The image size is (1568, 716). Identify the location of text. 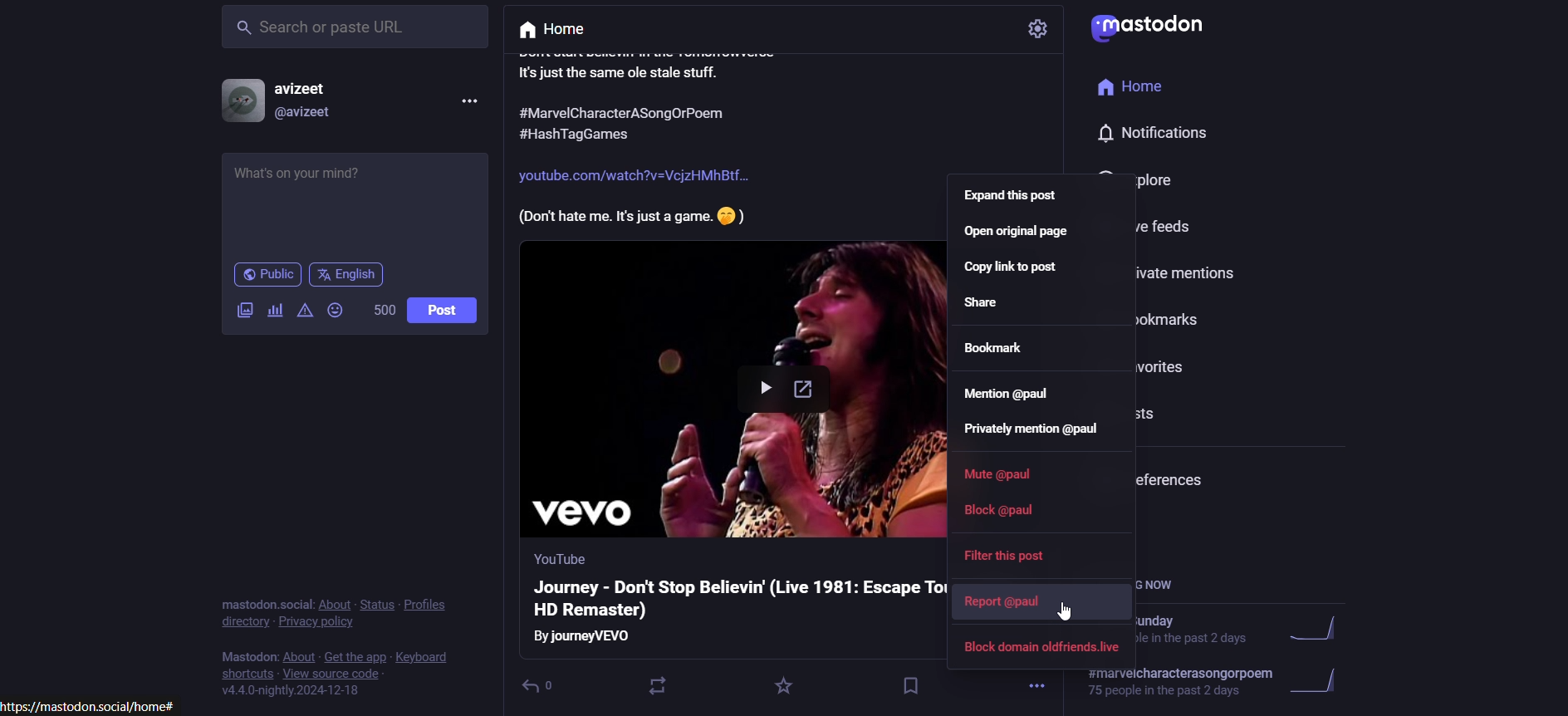
(247, 659).